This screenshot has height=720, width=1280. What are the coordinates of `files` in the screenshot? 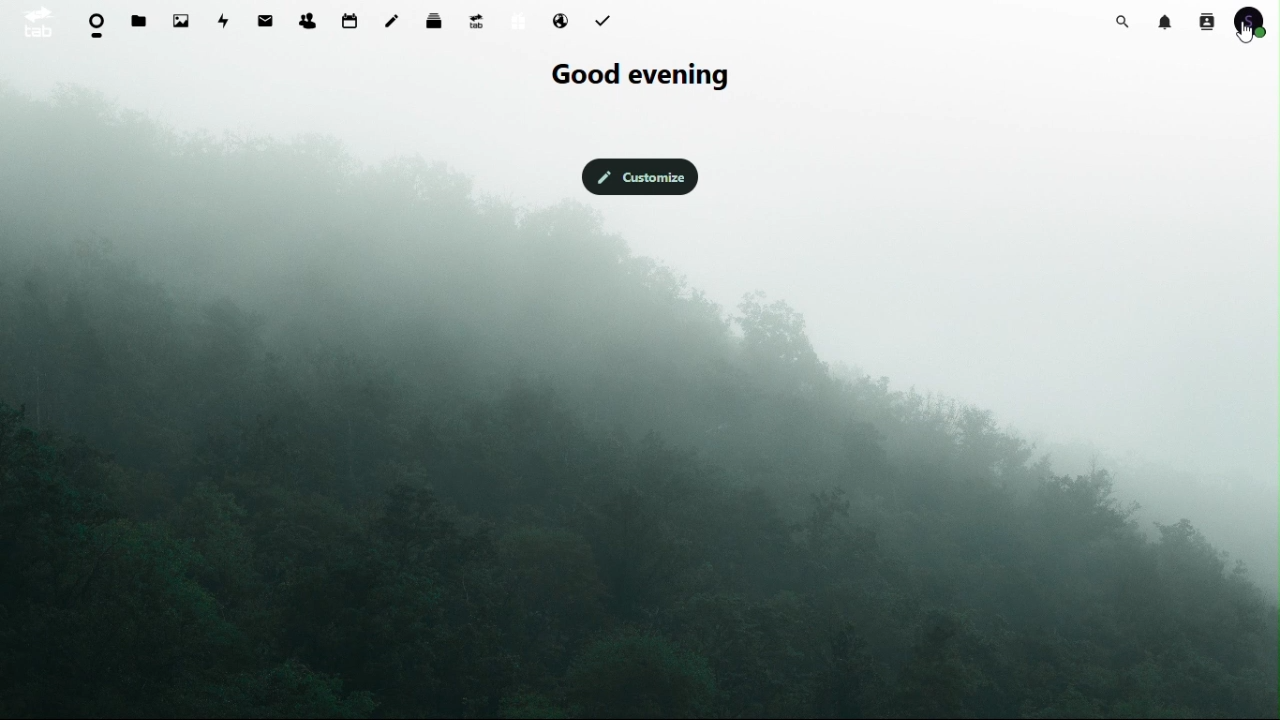 It's located at (140, 22).